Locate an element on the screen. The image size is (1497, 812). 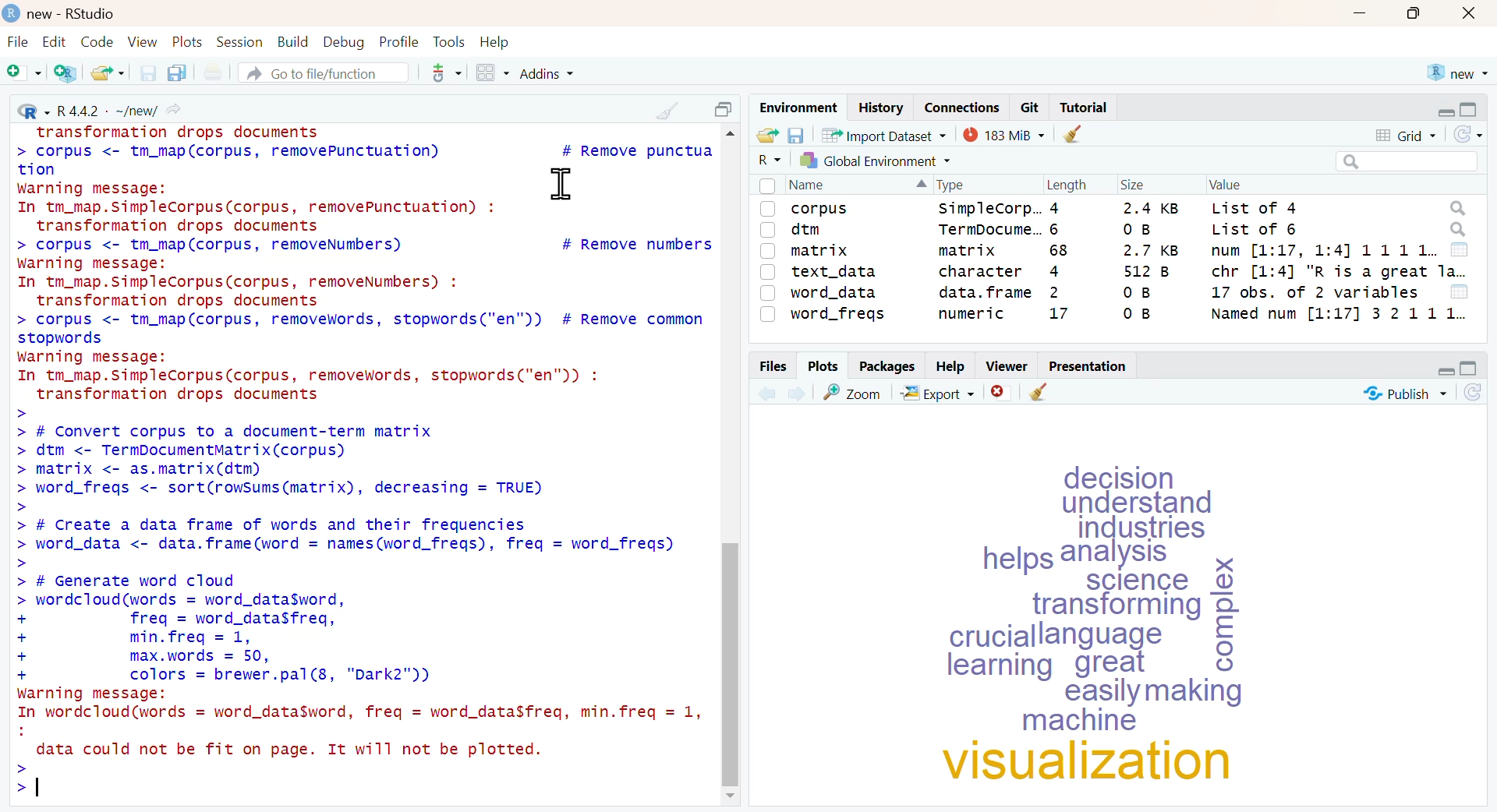
word_data is located at coordinates (836, 292).